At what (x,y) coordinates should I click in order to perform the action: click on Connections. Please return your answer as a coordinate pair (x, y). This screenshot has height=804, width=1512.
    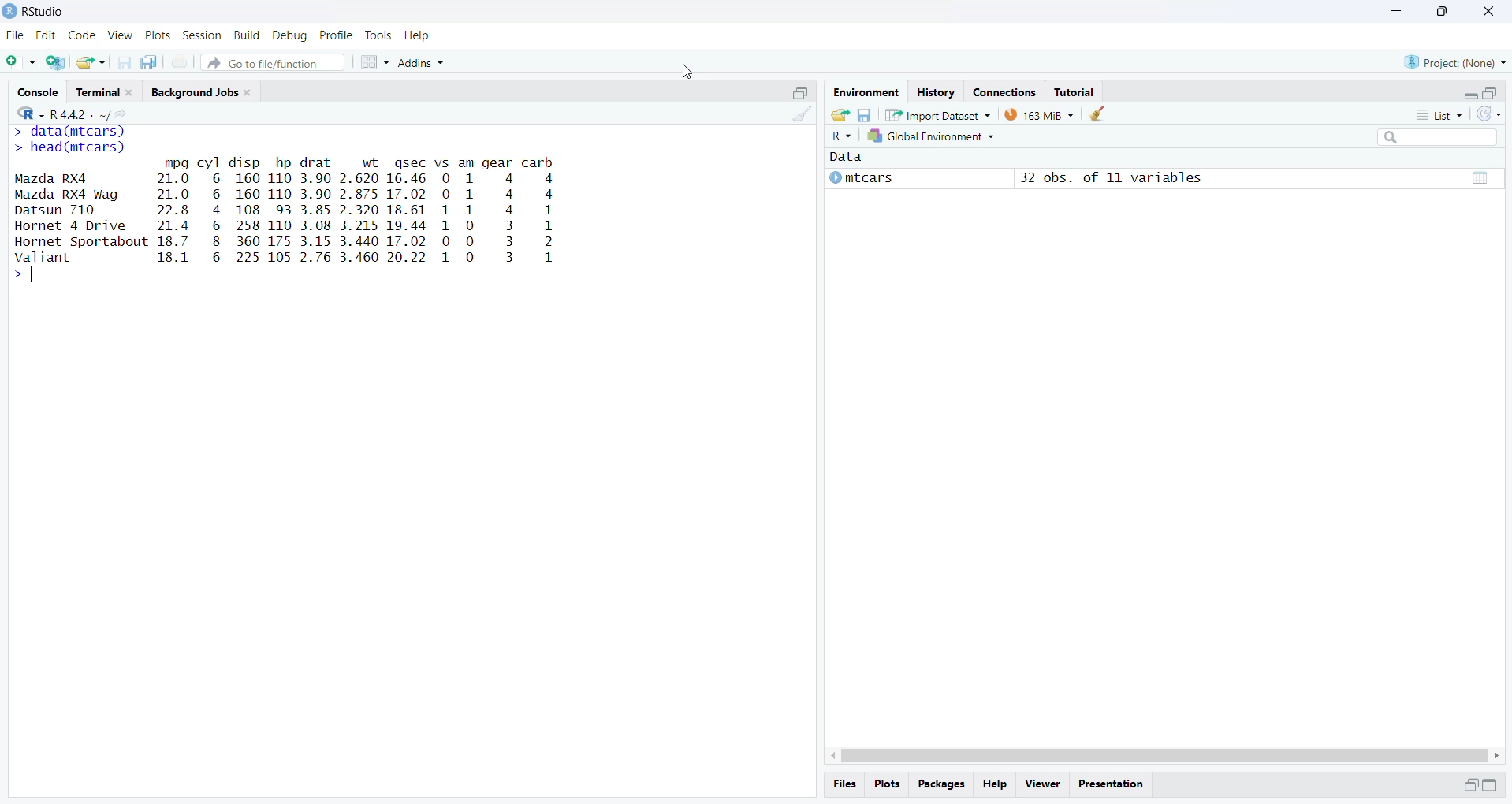
    Looking at the image, I should click on (1005, 93).